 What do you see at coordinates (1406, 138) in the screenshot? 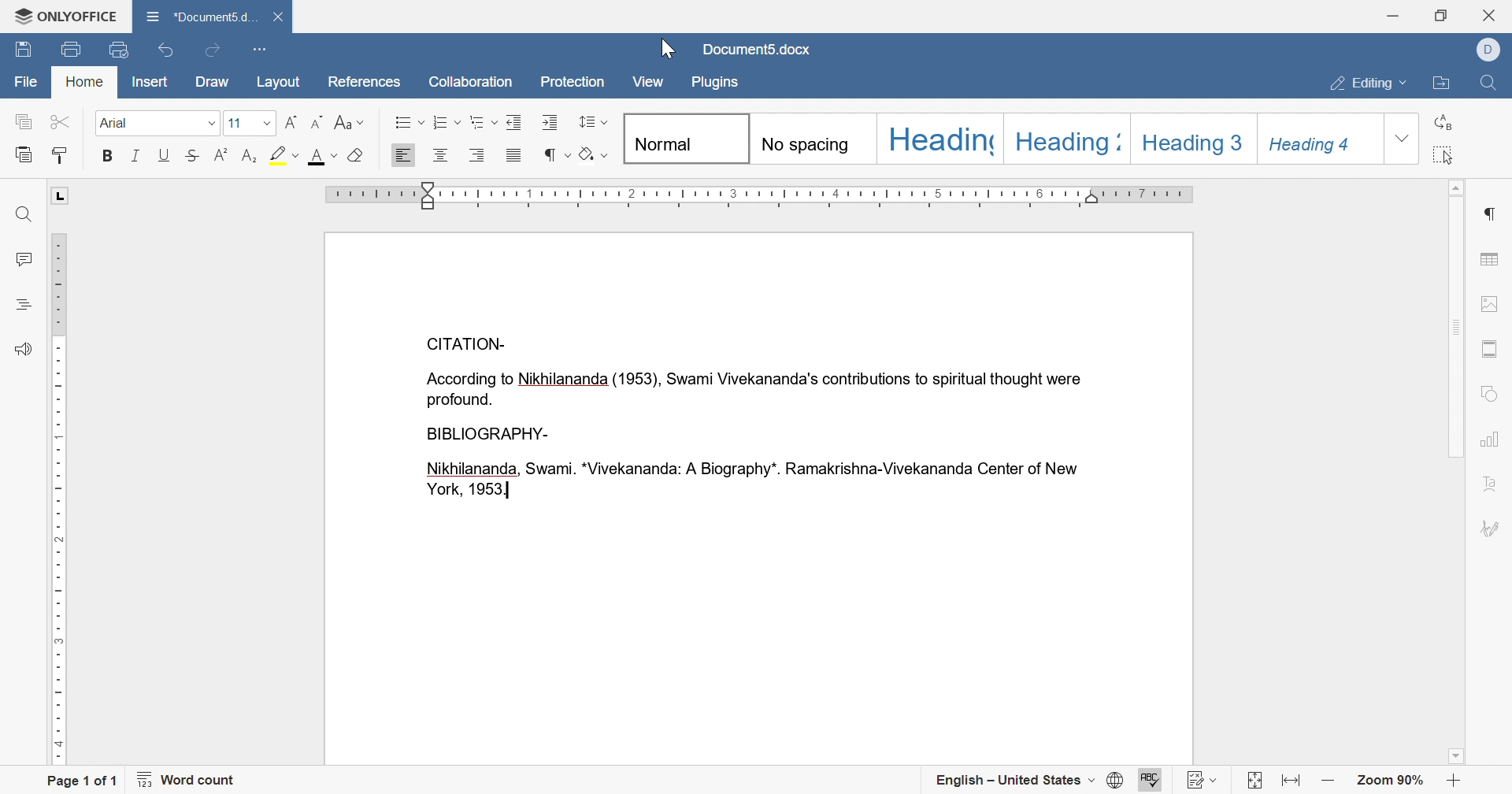
I see `drop down` at bounding box center [1406, 138].